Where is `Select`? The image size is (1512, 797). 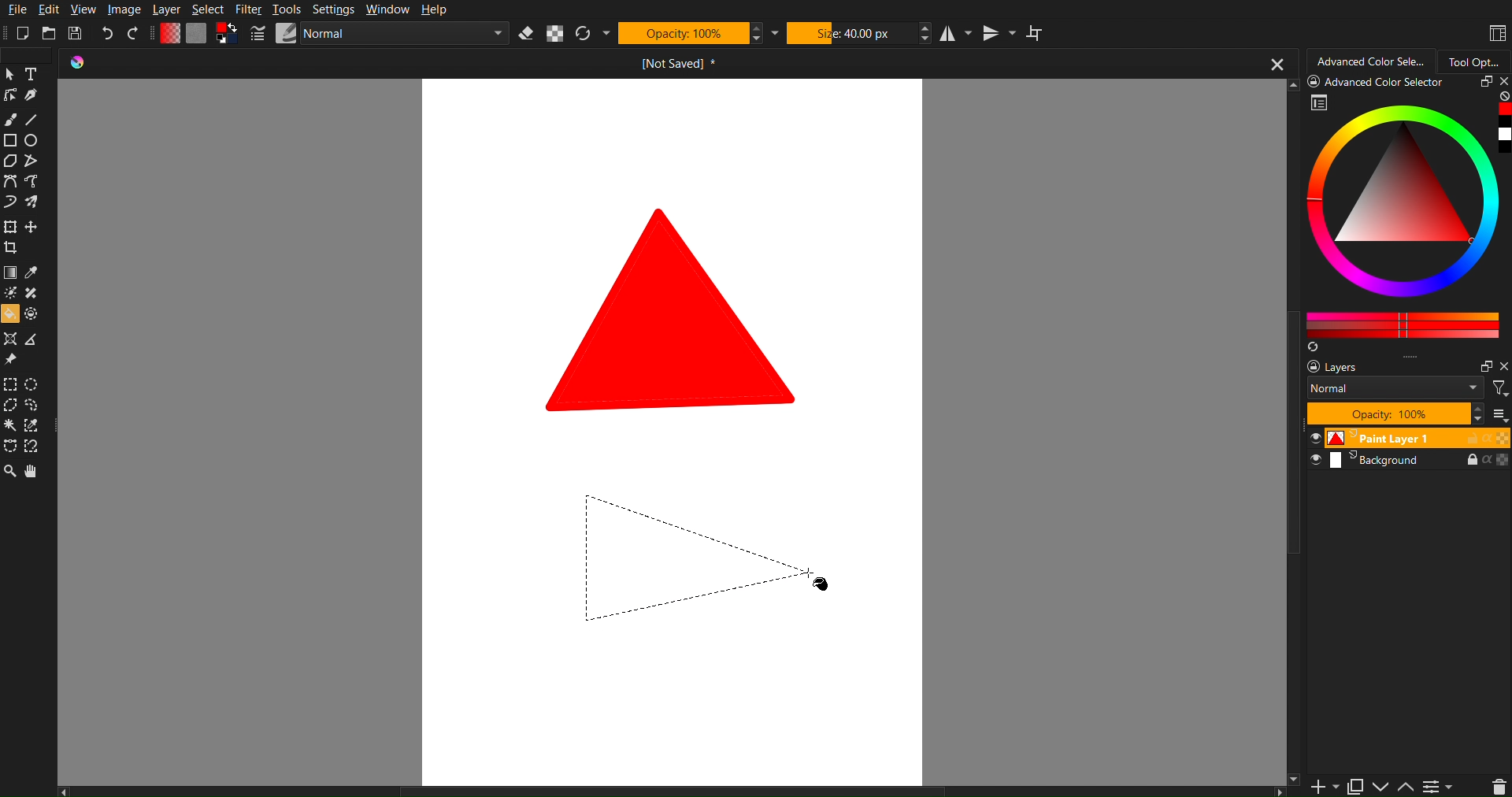
Select is located at coordinates (209, 9).